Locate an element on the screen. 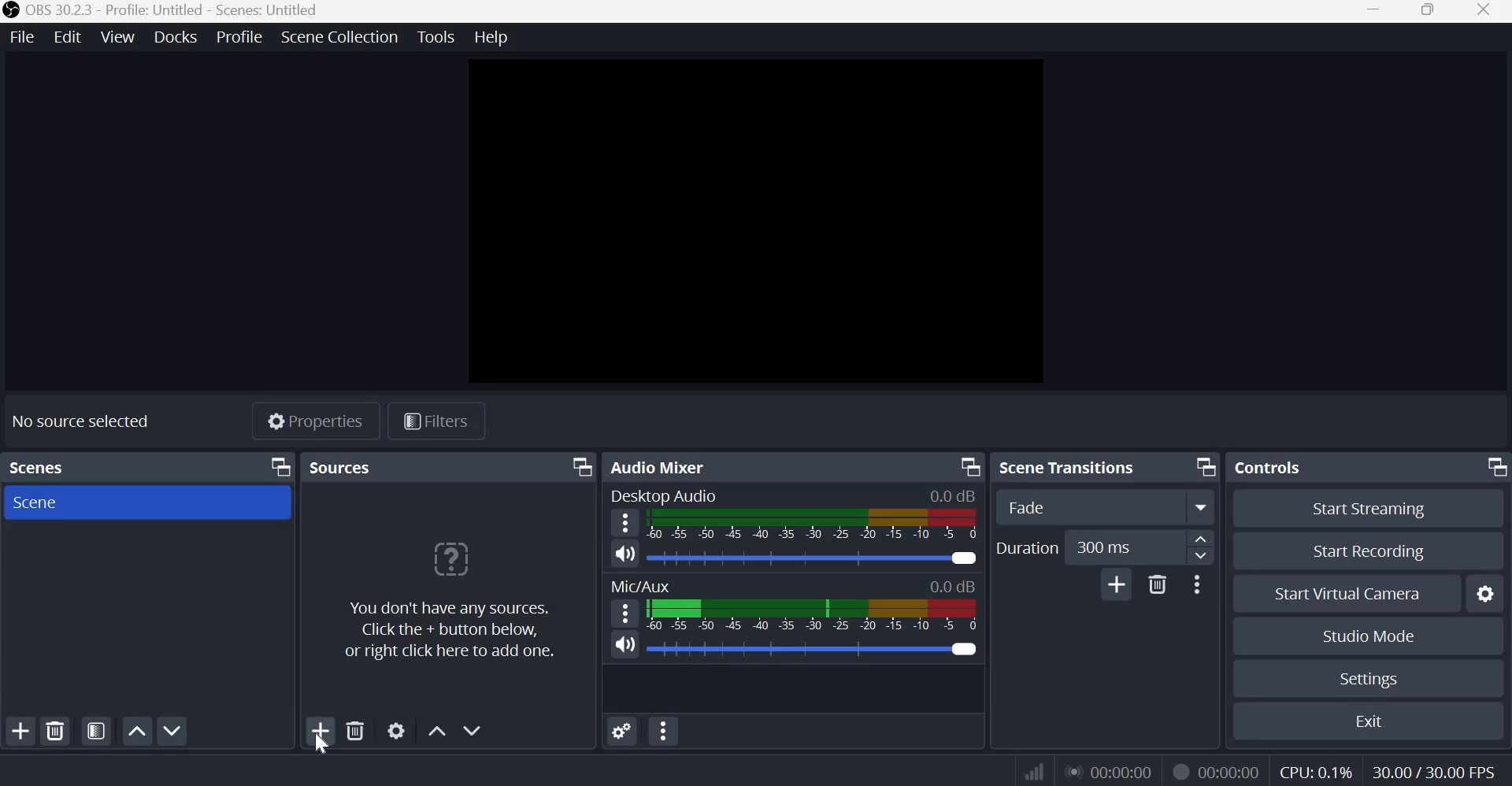 The image size is (1512, 786). More Options is located at coordinates (1196, 584).